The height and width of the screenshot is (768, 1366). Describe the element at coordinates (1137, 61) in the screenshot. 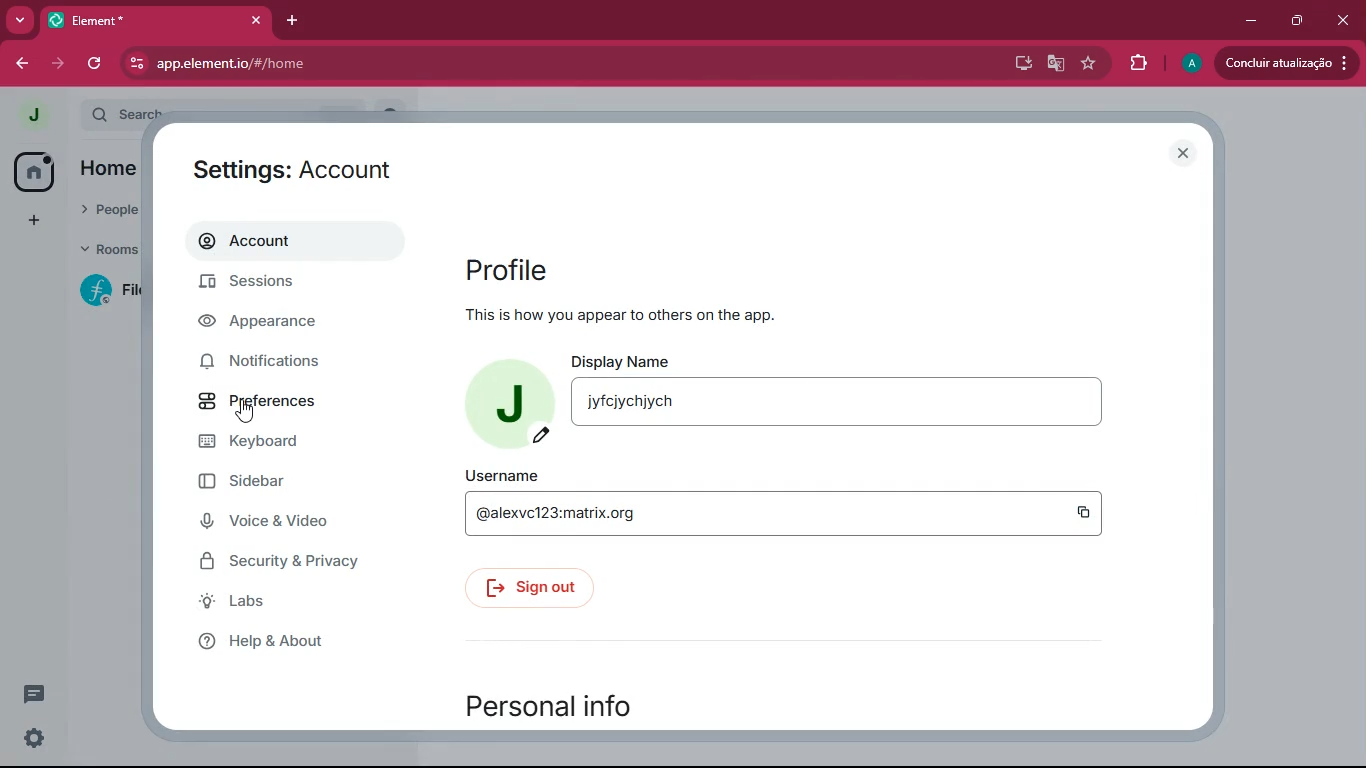

I see `extensions` at that location.